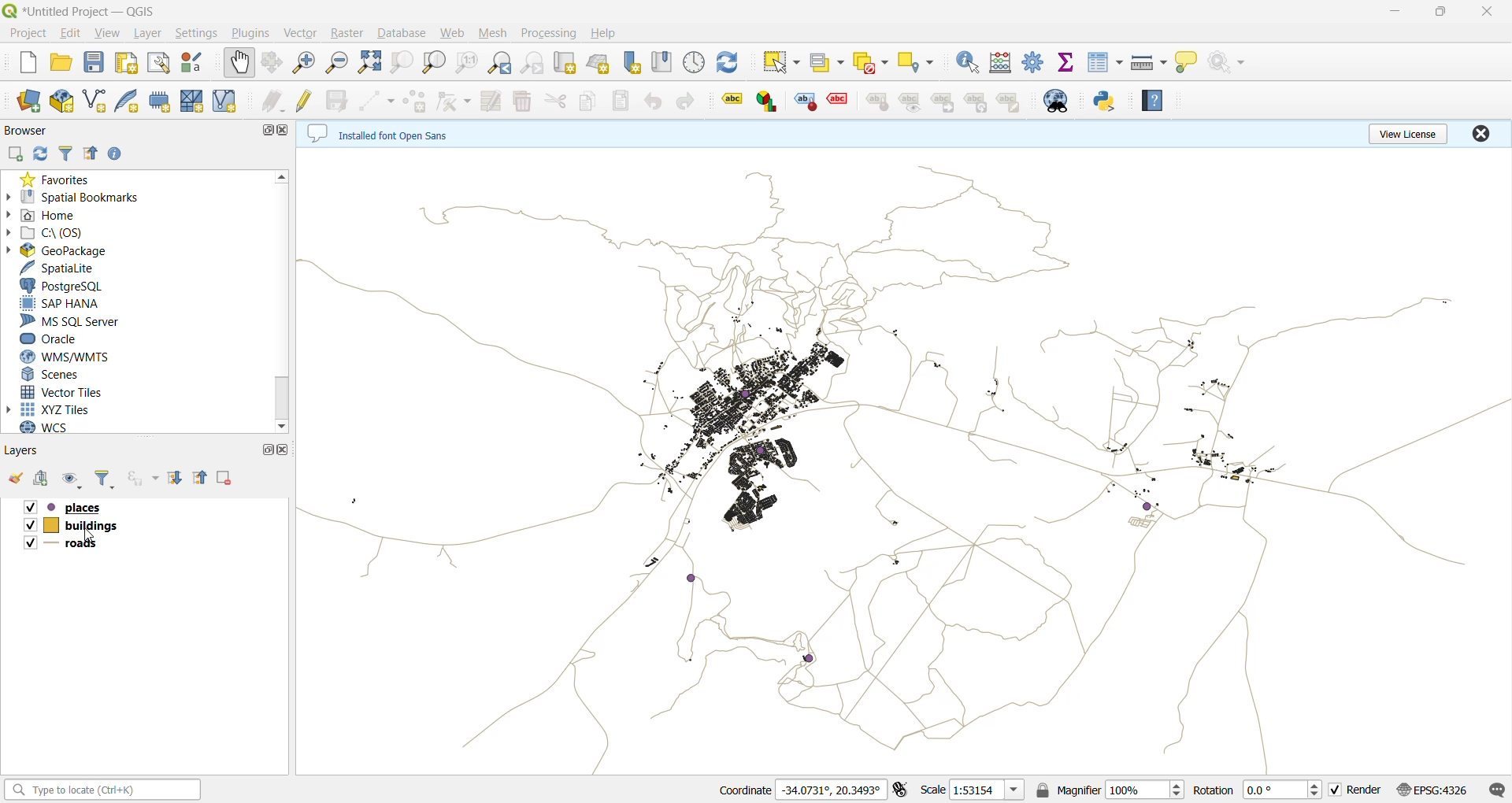 This screenshot has width=1512, height=803. I want to click on view license, so click(1408, 132).